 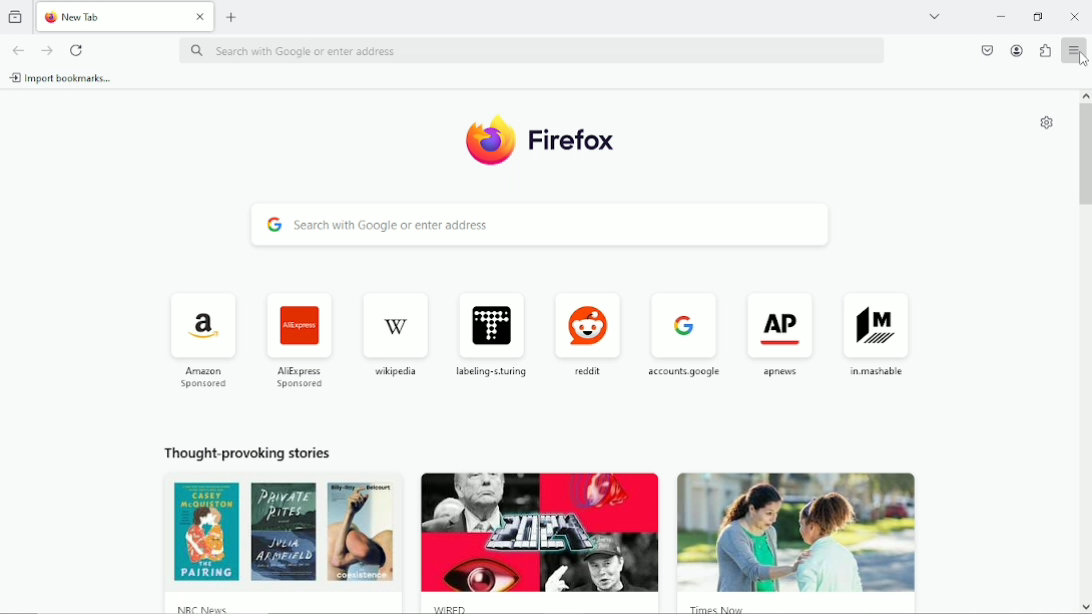 What do you see at coordinates (17, 50) in the screenshot?
I see `go back` at bounding box center [17, 50].